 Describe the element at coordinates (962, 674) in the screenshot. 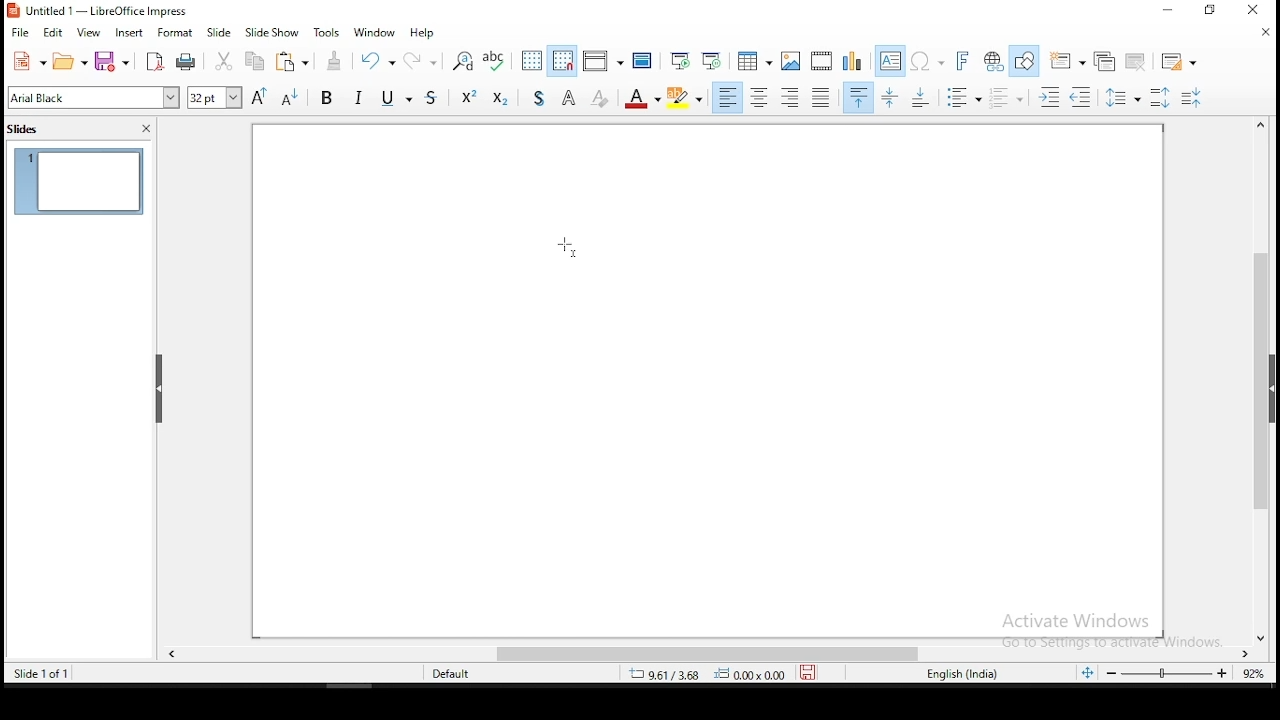

I see `English (India)` at that location.